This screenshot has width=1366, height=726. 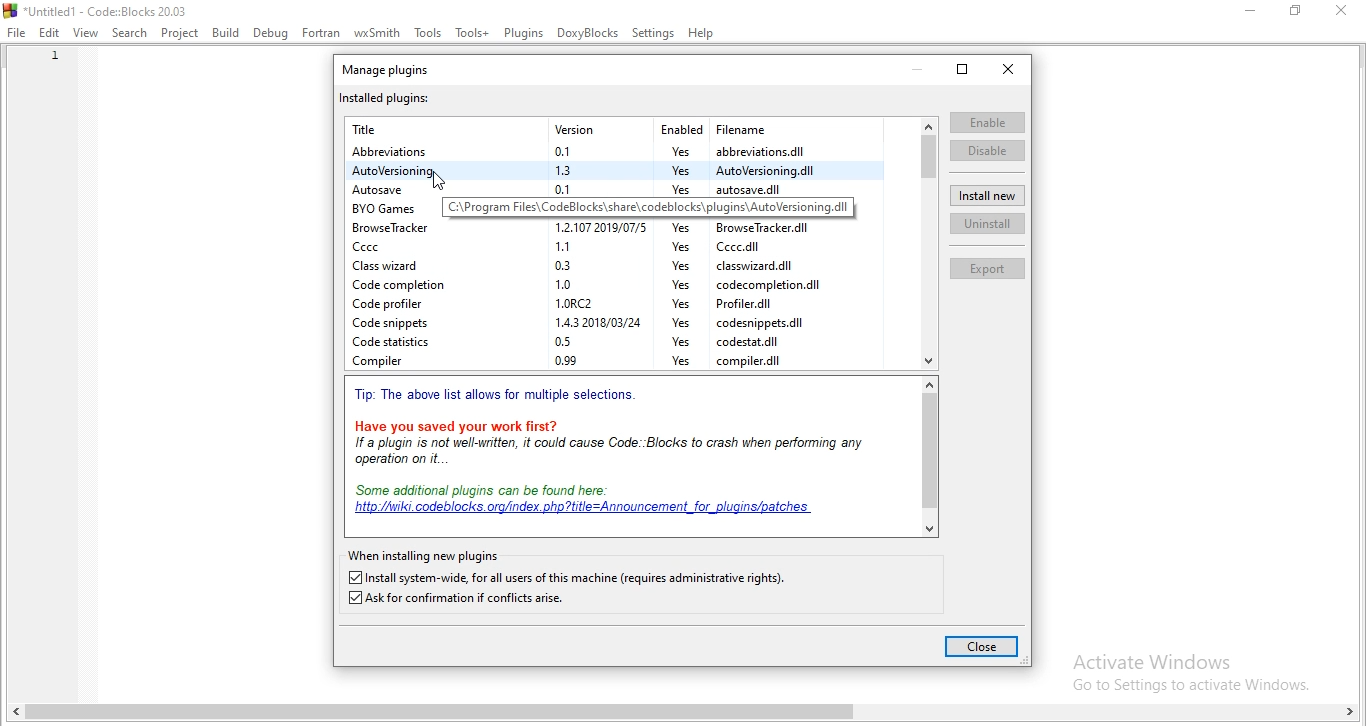 I want to click on Tools, so click(x=427, y=32).